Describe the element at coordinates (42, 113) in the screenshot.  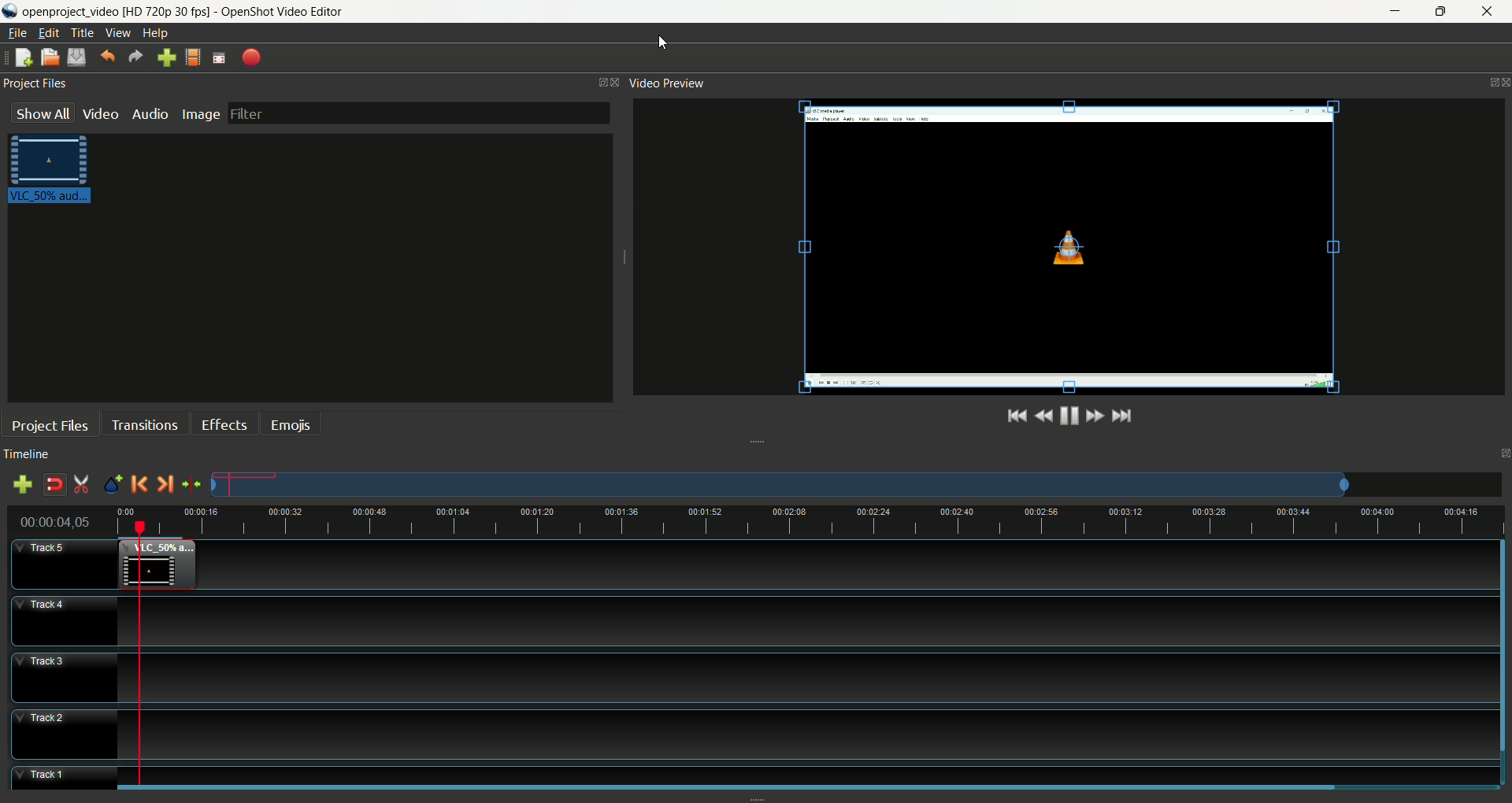
I see `show all` at that location.